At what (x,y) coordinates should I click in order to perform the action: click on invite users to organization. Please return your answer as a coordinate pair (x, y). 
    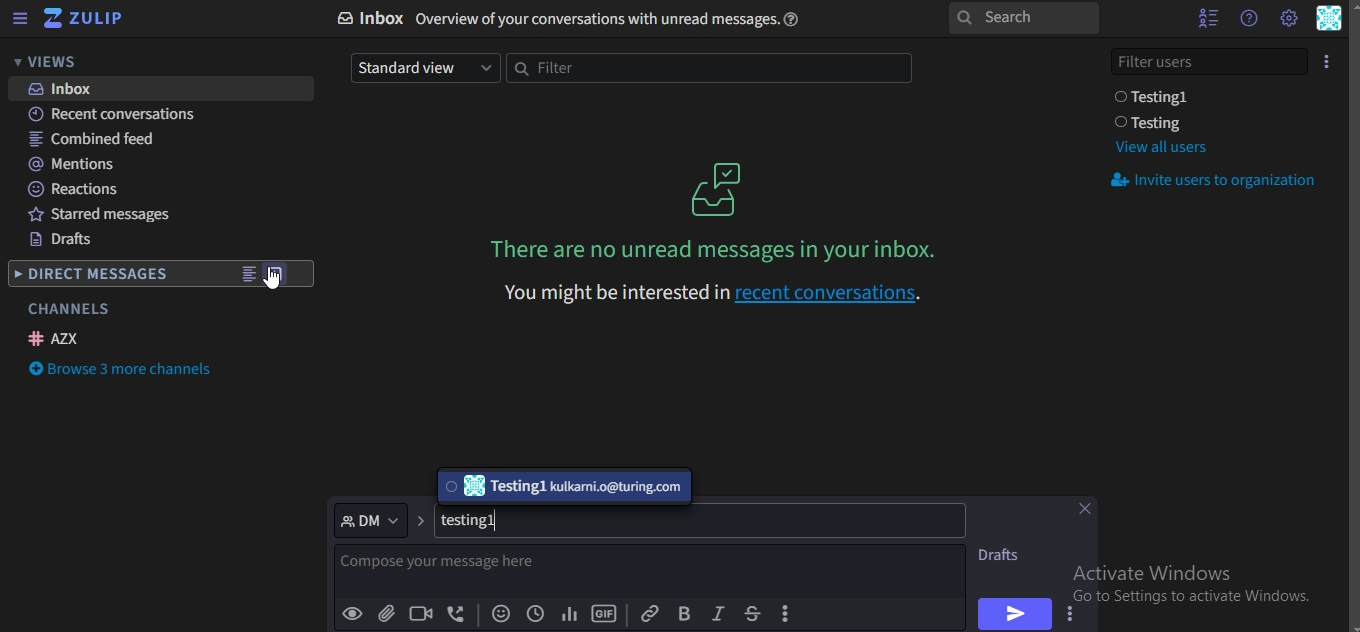
    Looking at the image, I should click on (1217, 182).